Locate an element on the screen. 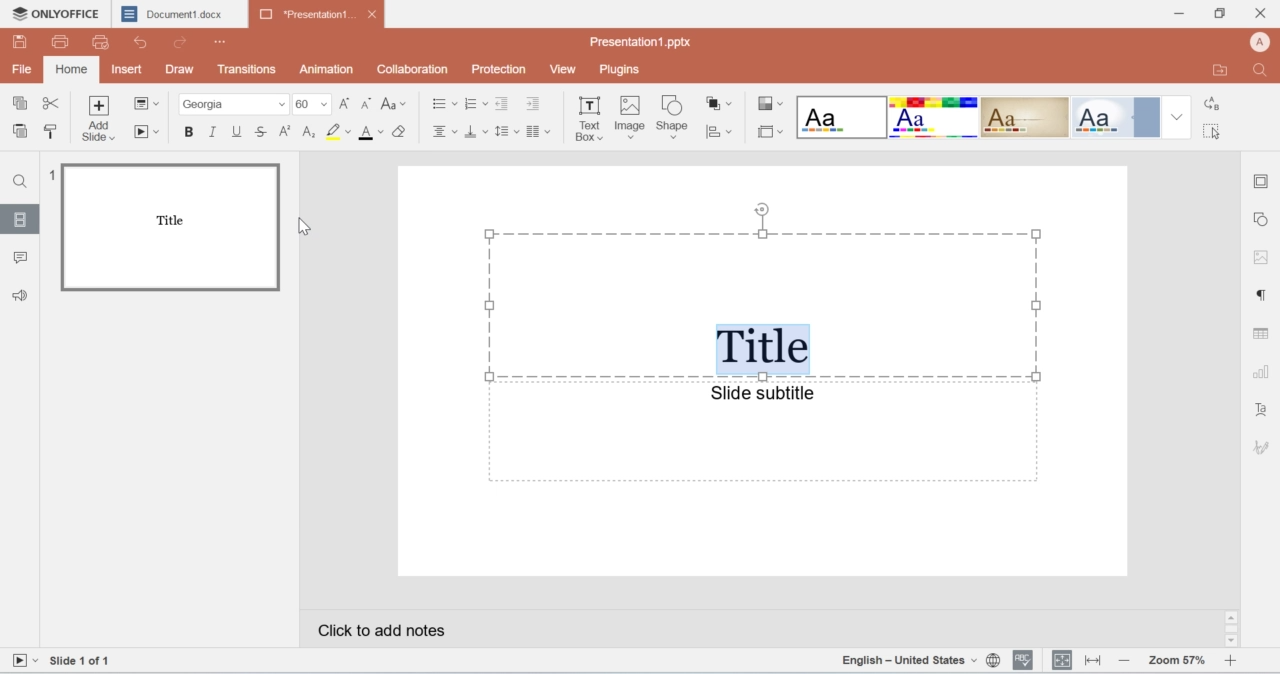 The width and height of the screenshot is (1280, 674). minimize is located at coordinates (1180, 14).